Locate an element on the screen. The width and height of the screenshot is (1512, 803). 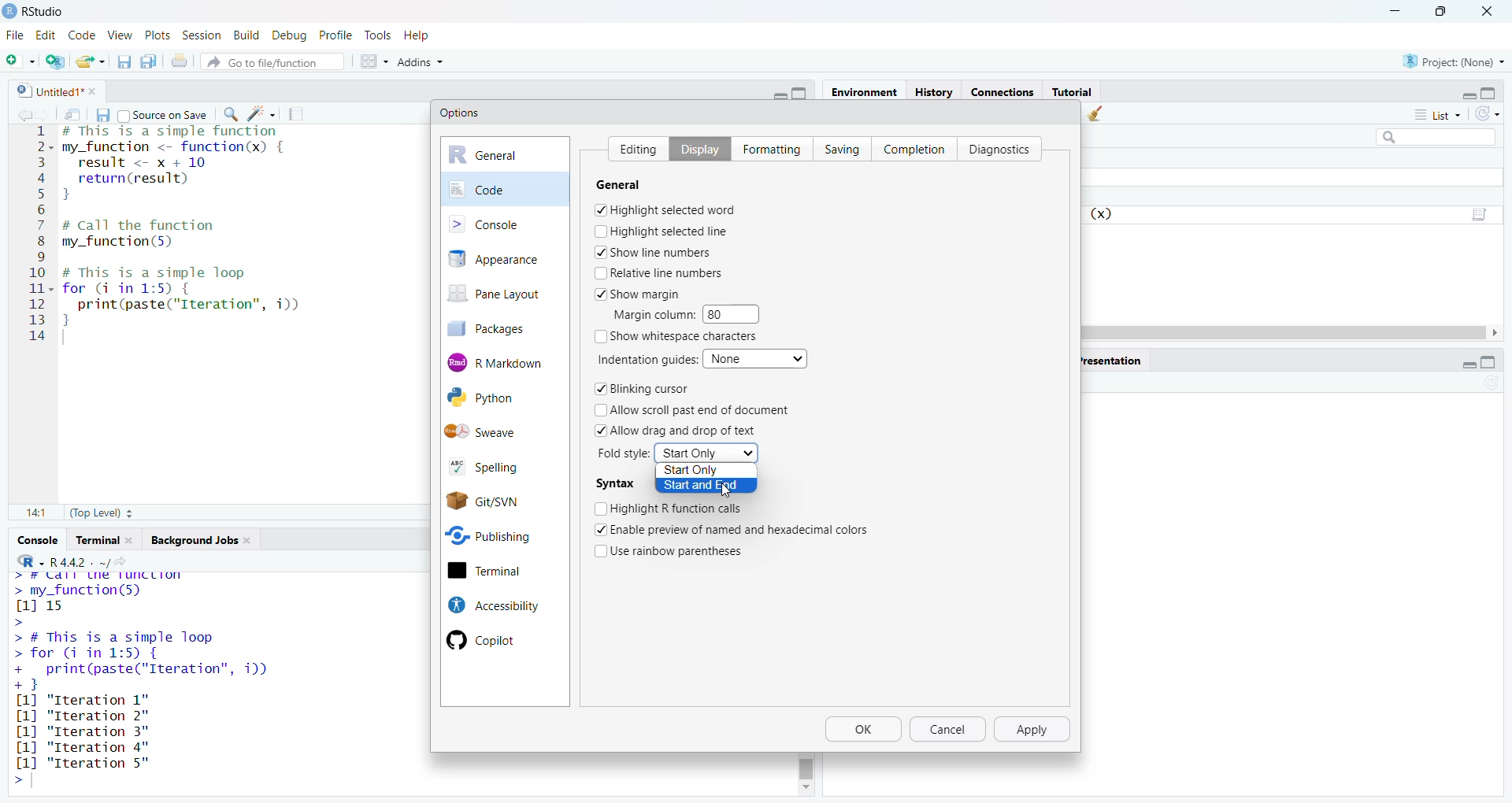
find/replace is located at coordinates (228, 114).